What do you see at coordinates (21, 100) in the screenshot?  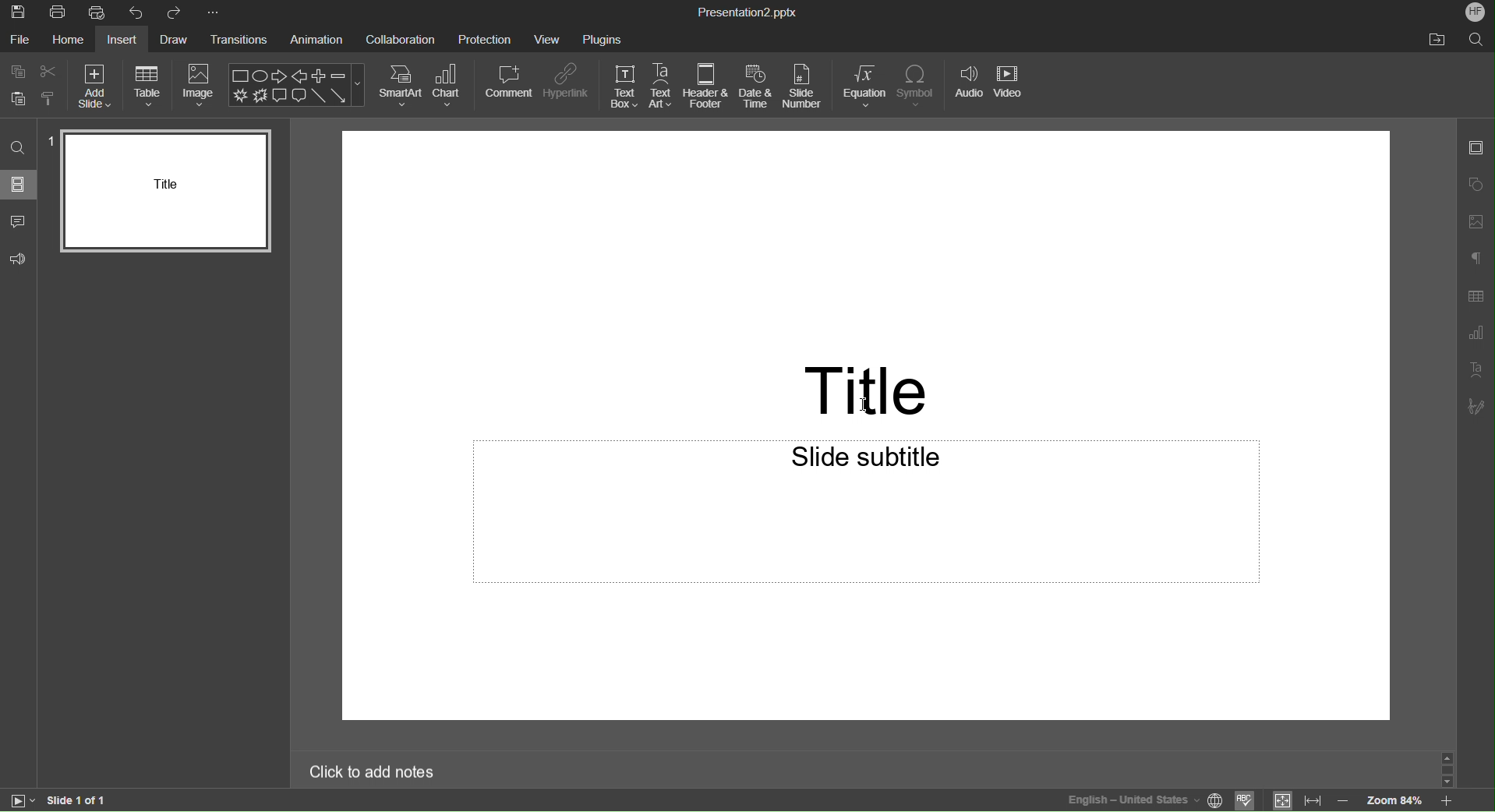 I see `paste` at bounding box center [21, 100].